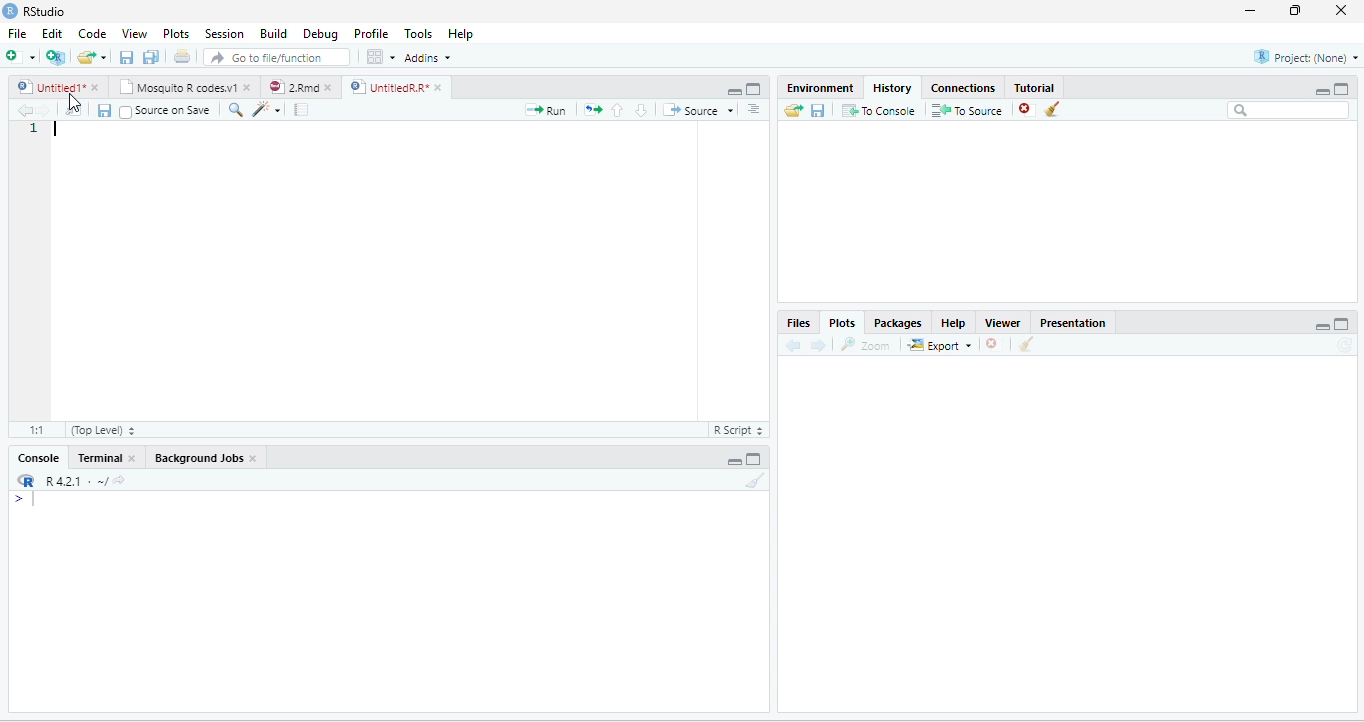  Describe the element at coordinates (1297, 11) in the screenshot. I see `restore` at that location.